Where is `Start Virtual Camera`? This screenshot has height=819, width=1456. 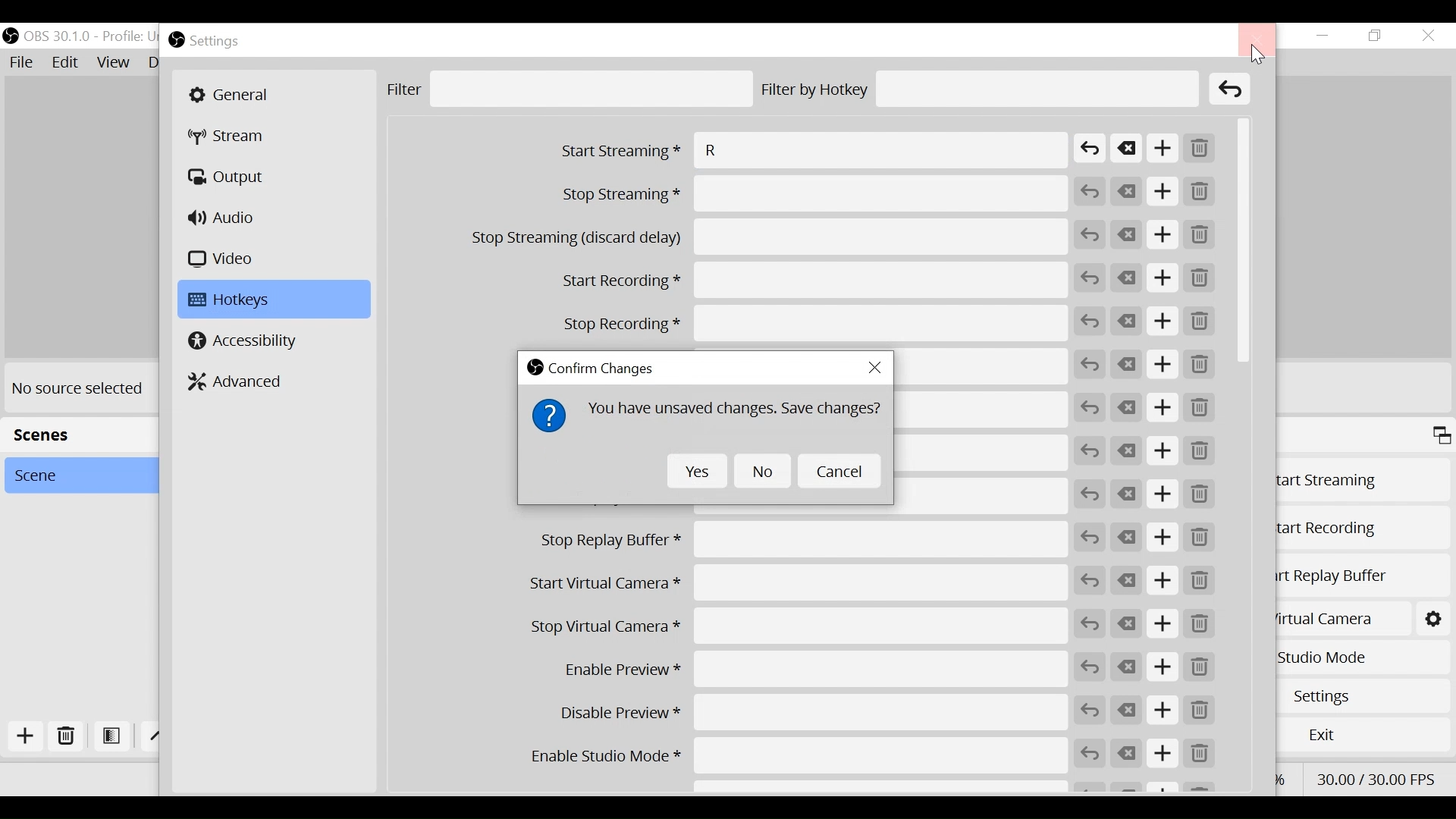
Start Virtual Camera is located at coordinates (799, 582).